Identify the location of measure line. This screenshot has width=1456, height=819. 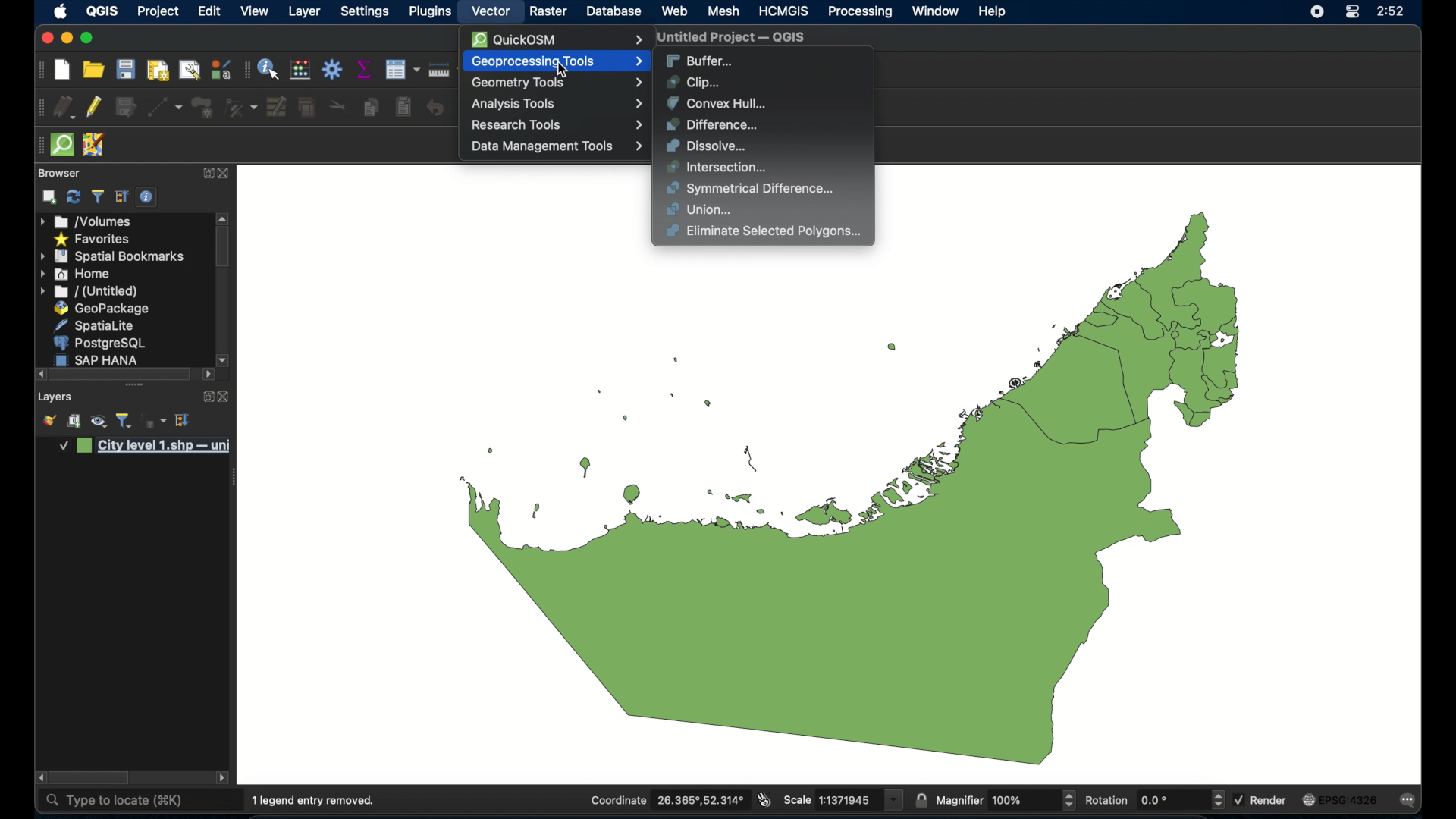
(438, 69).